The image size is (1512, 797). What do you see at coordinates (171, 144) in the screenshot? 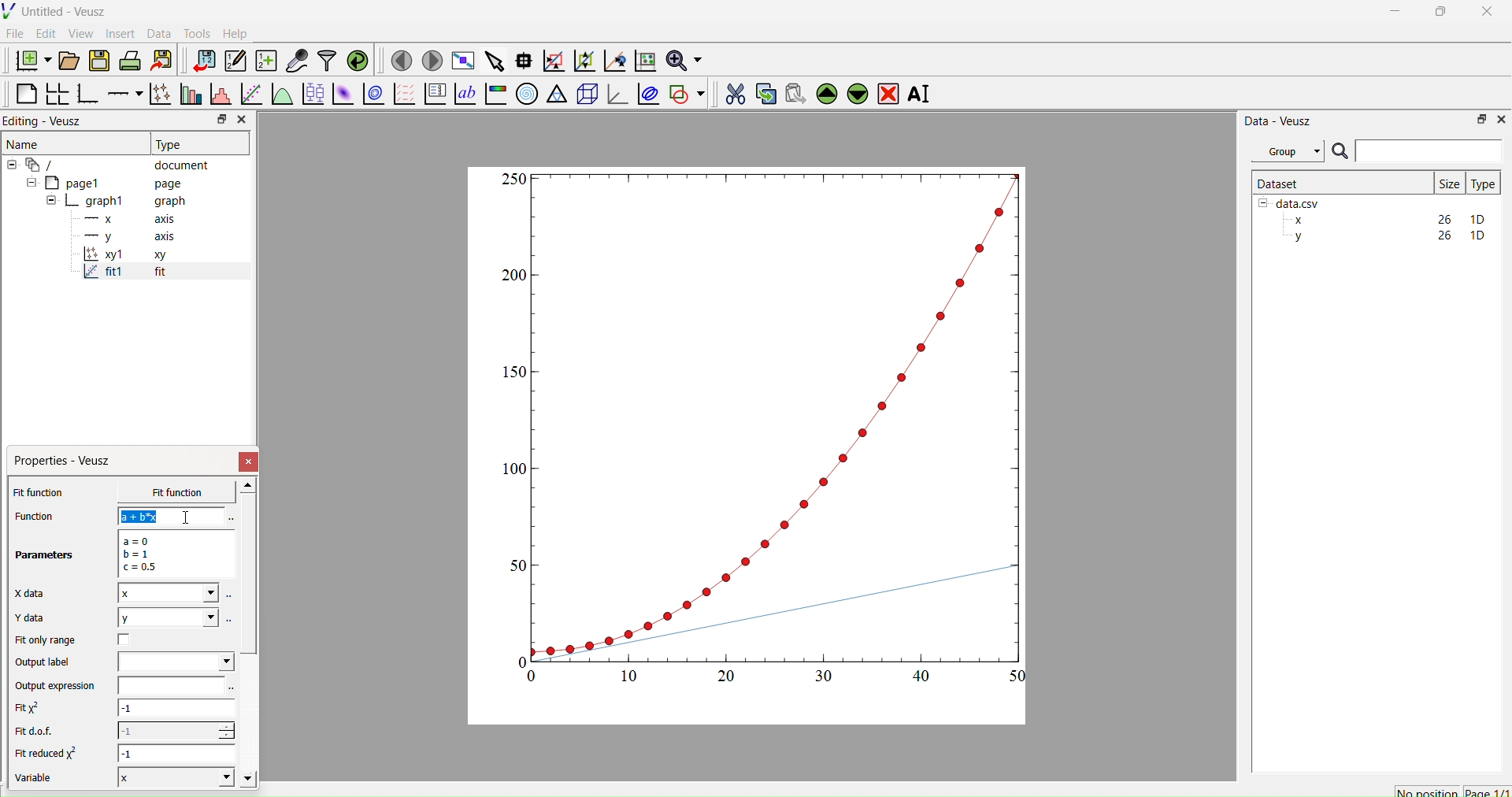
I see `Type` at bounding box center [171, 144].